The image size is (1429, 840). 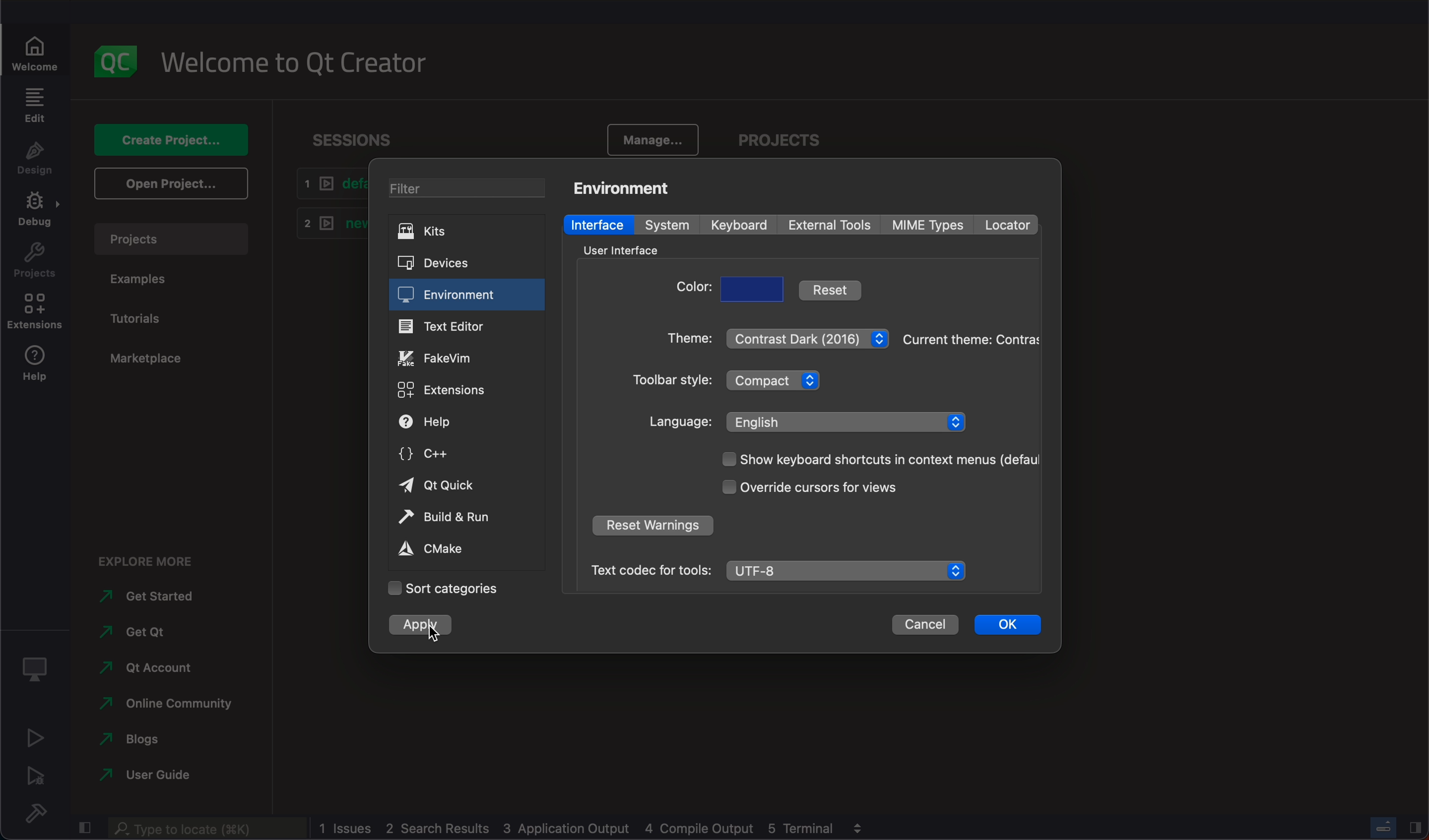 What do you see at coordinates (835, 226) in the screenshot?
I see `external tools` at bounding box center [835, 226].